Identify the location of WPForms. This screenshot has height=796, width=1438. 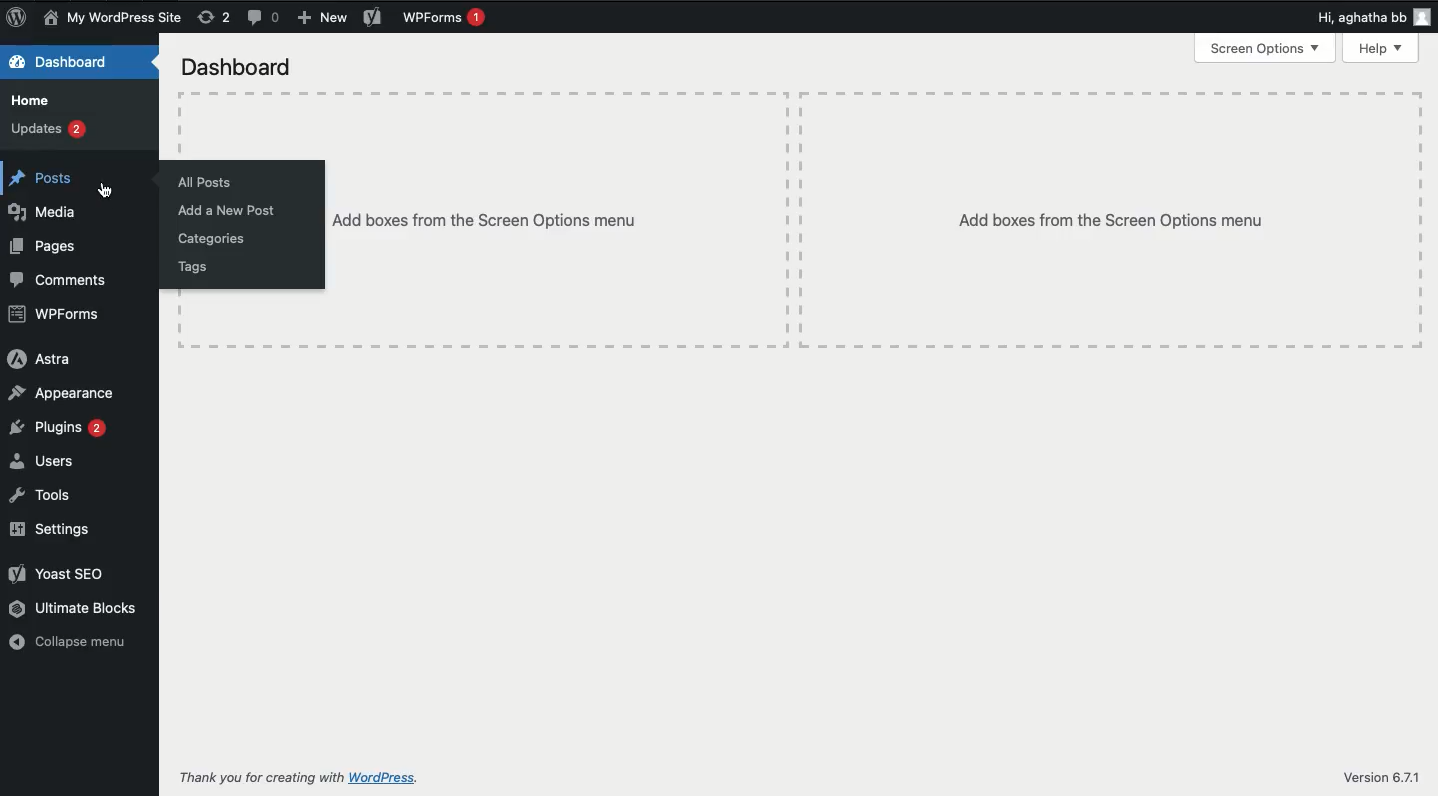
(446, 17).